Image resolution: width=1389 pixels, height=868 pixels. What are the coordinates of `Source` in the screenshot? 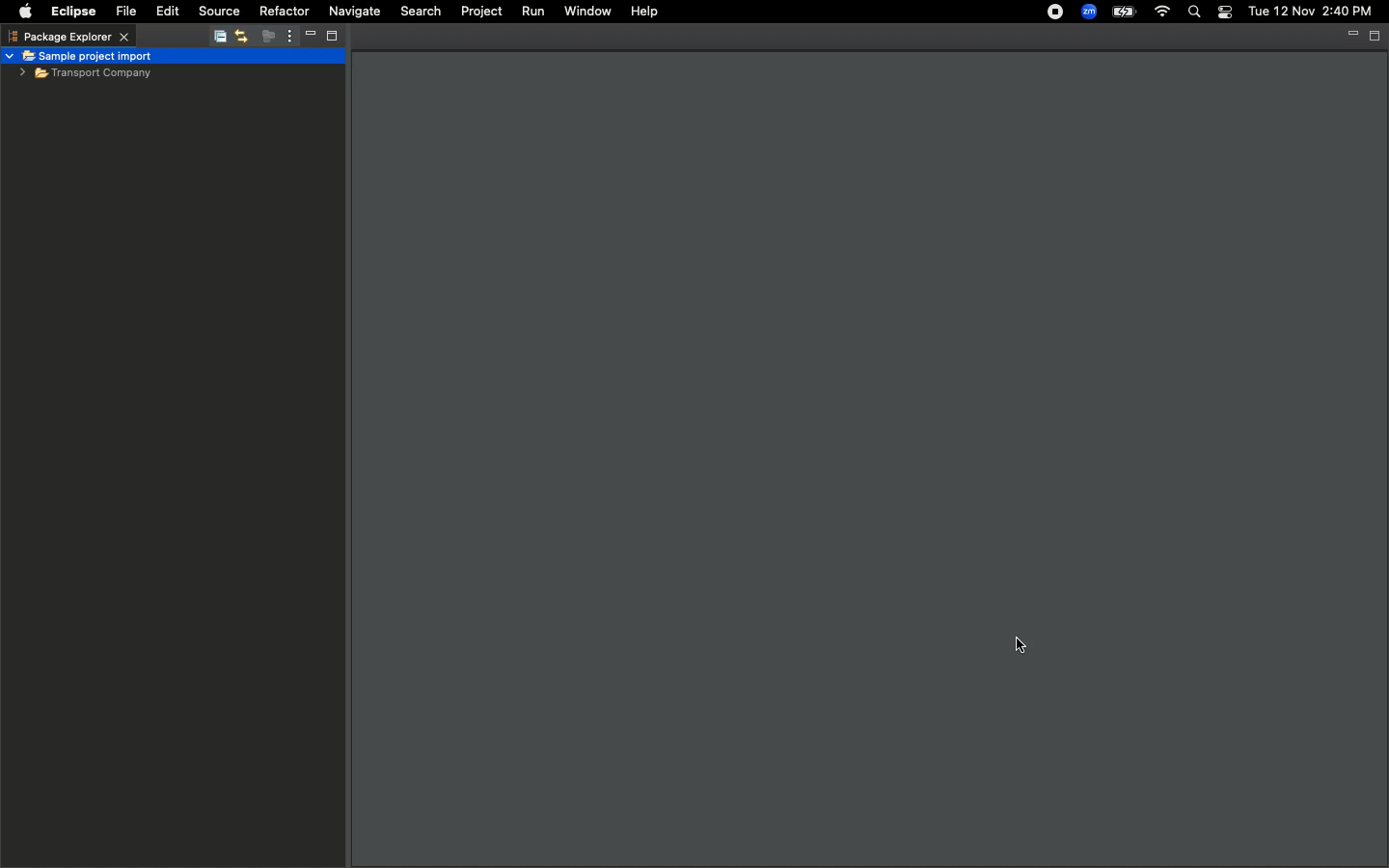 It's located at (217, 11).